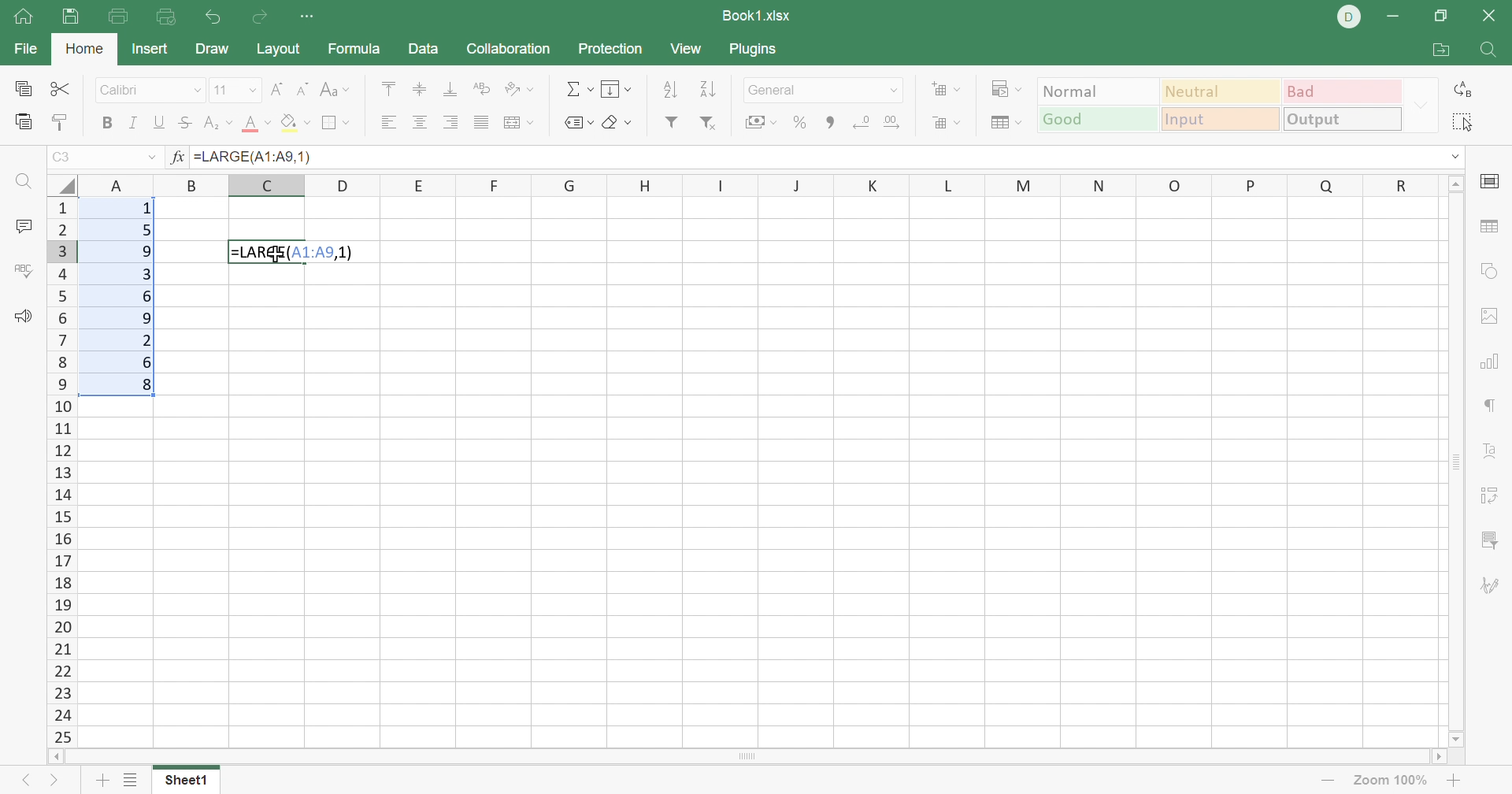  I want to click on Fill color, so click(295, 126).